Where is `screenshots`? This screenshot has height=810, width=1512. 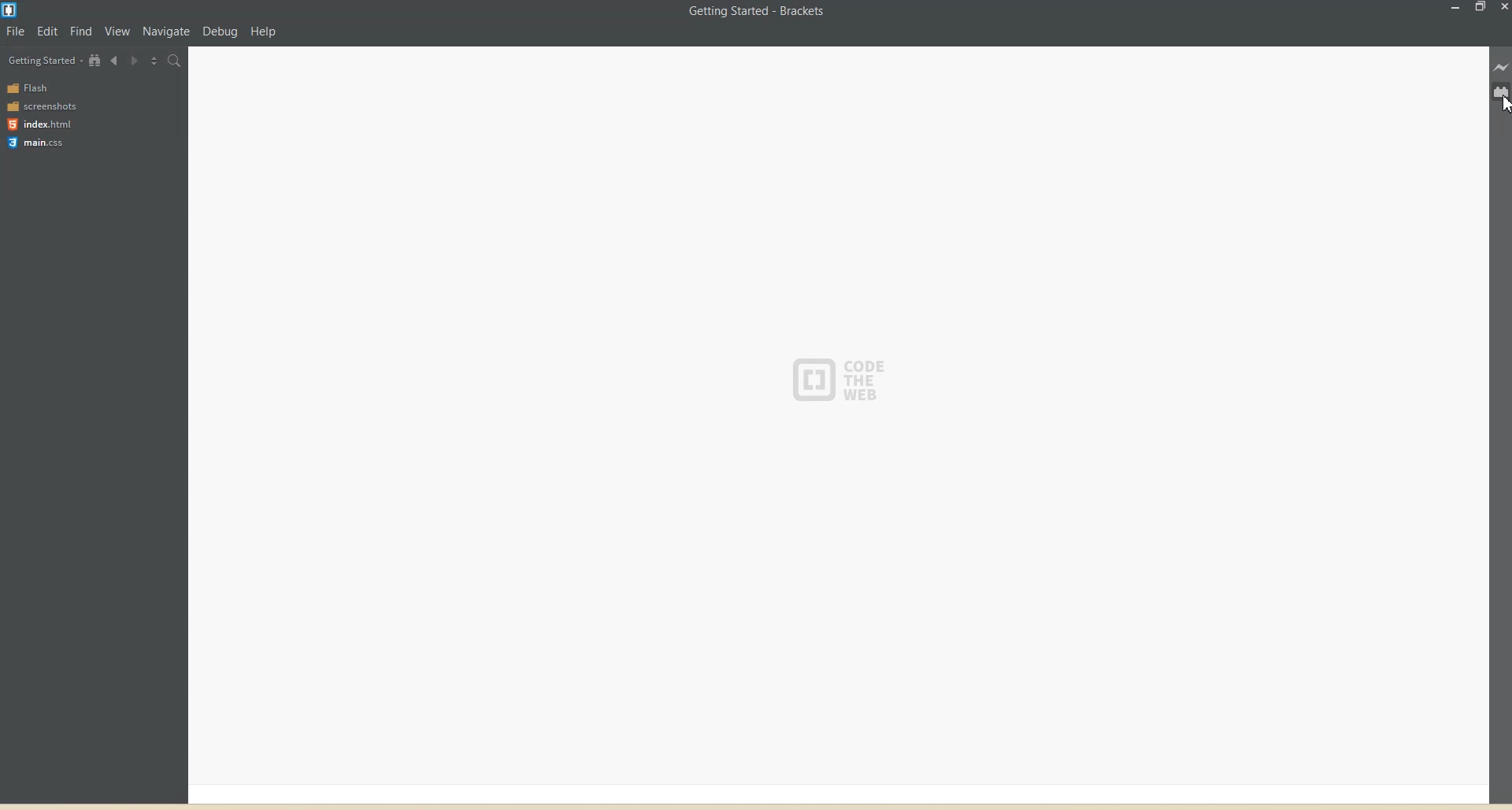
screenshots is located at coordinates (43, 105).